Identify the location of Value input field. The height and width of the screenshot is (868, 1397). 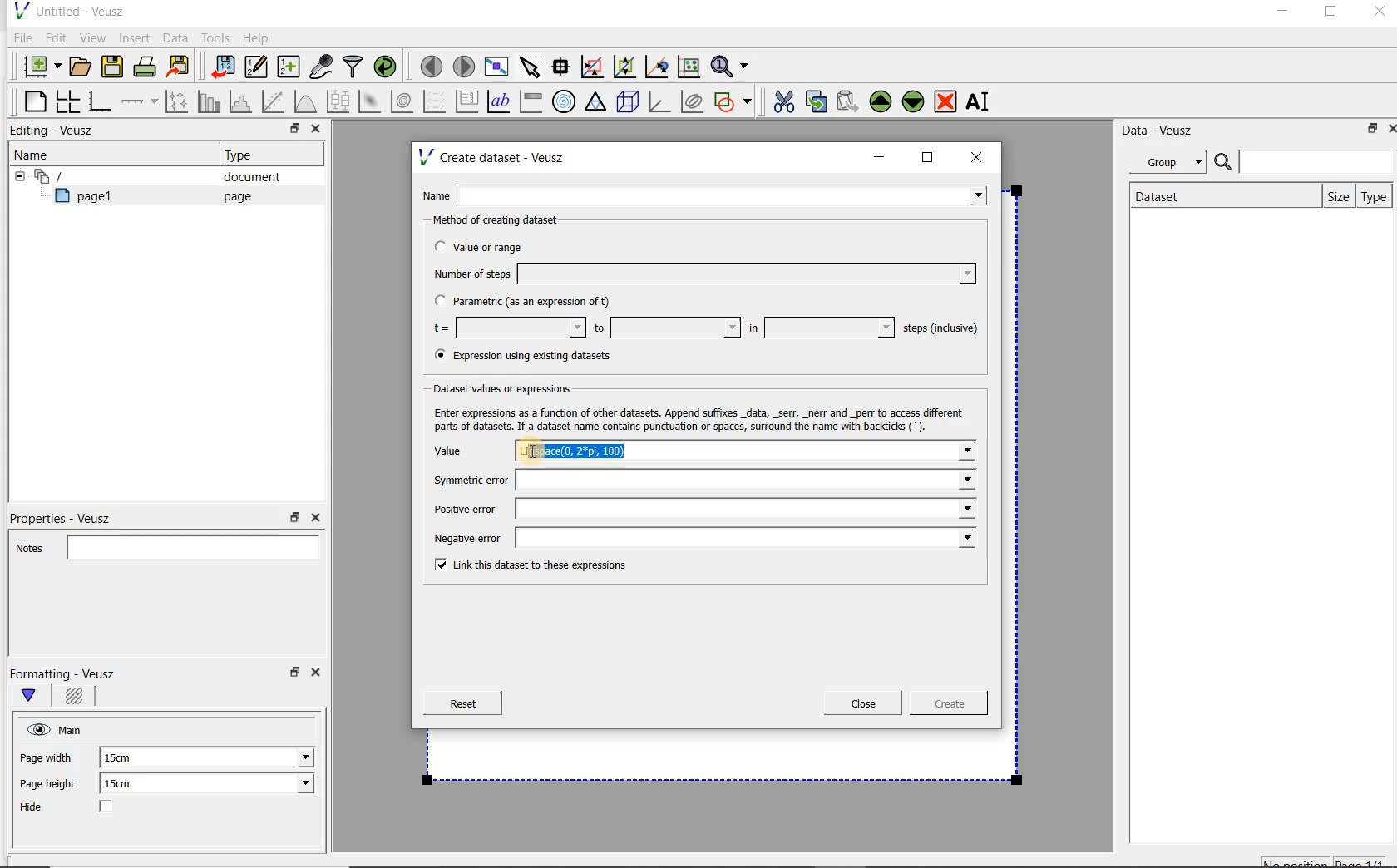
(823, 451).